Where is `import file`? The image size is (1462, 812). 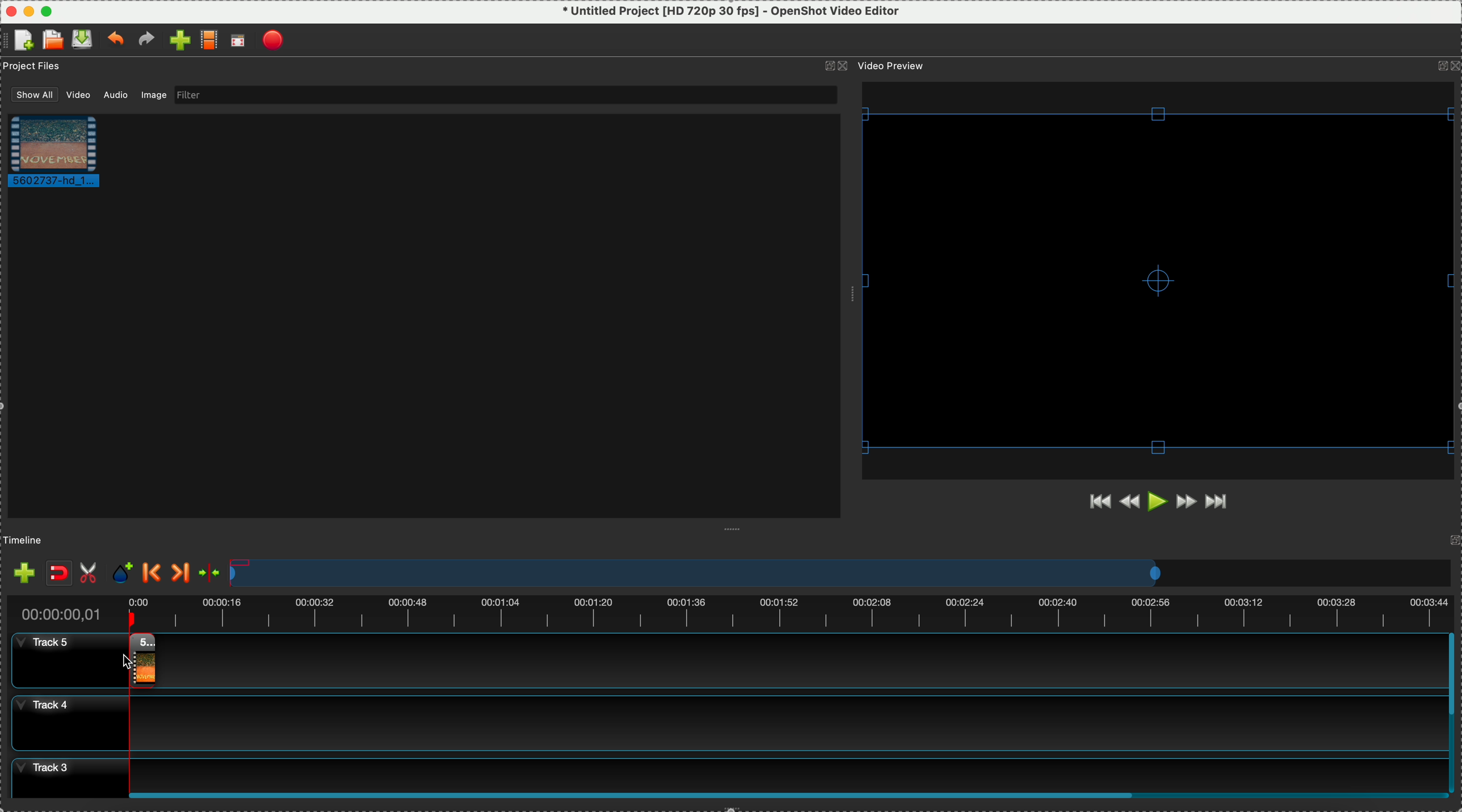
import file is located at coordinates (176, 40).